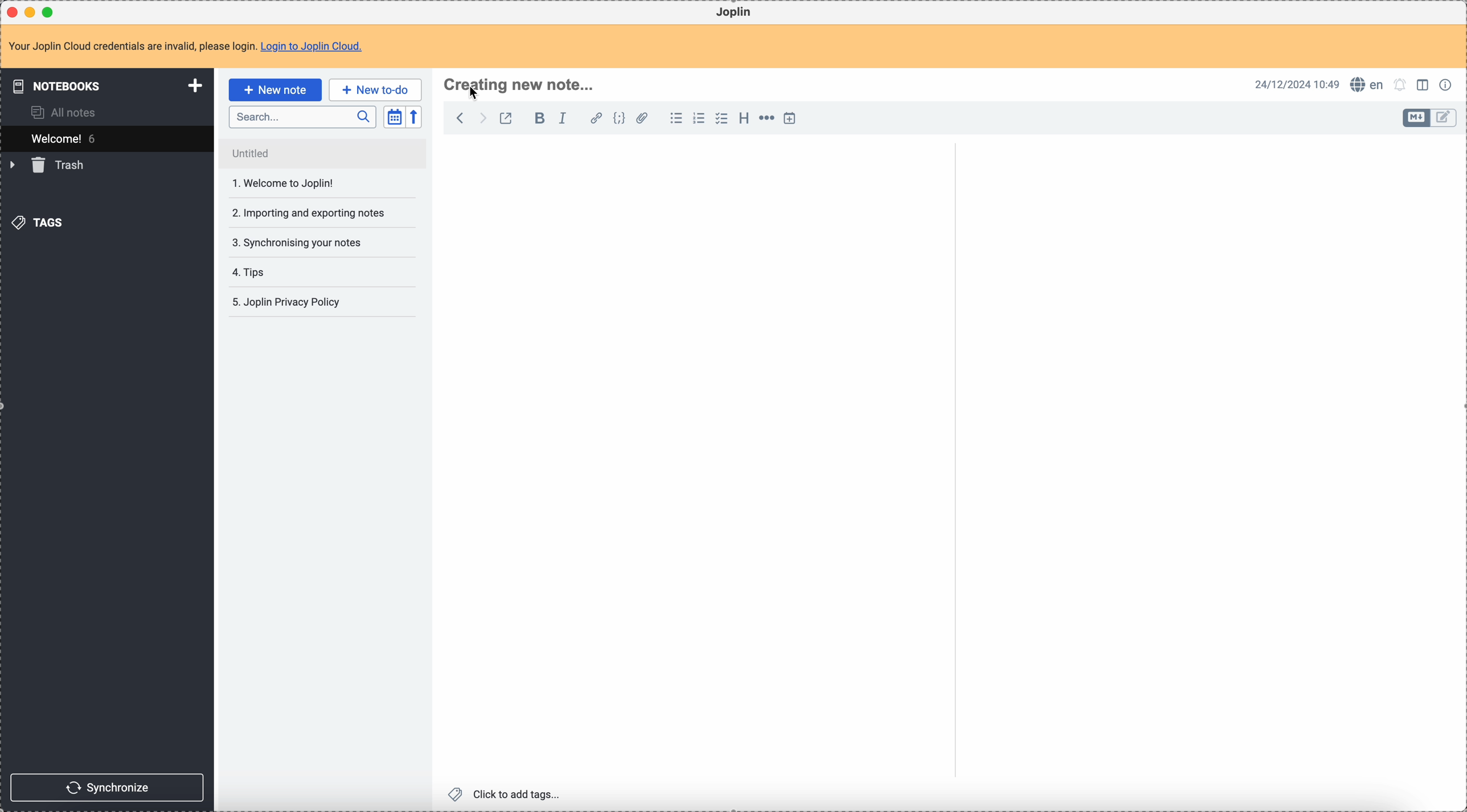 The width and height of the screenshot is (1467, 812). I want to click on Joplin, so click(736, 13).